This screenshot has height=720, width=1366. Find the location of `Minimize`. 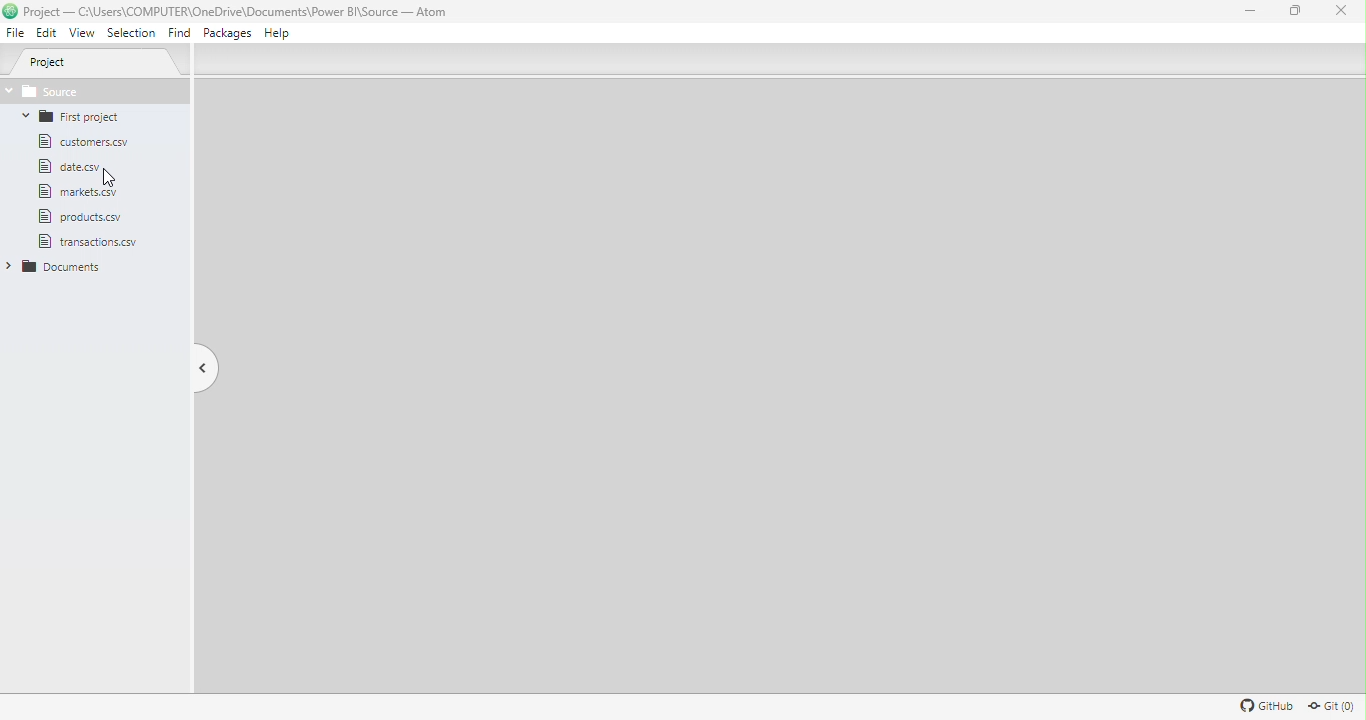

Minimize is located at coordinates (1247, 12).